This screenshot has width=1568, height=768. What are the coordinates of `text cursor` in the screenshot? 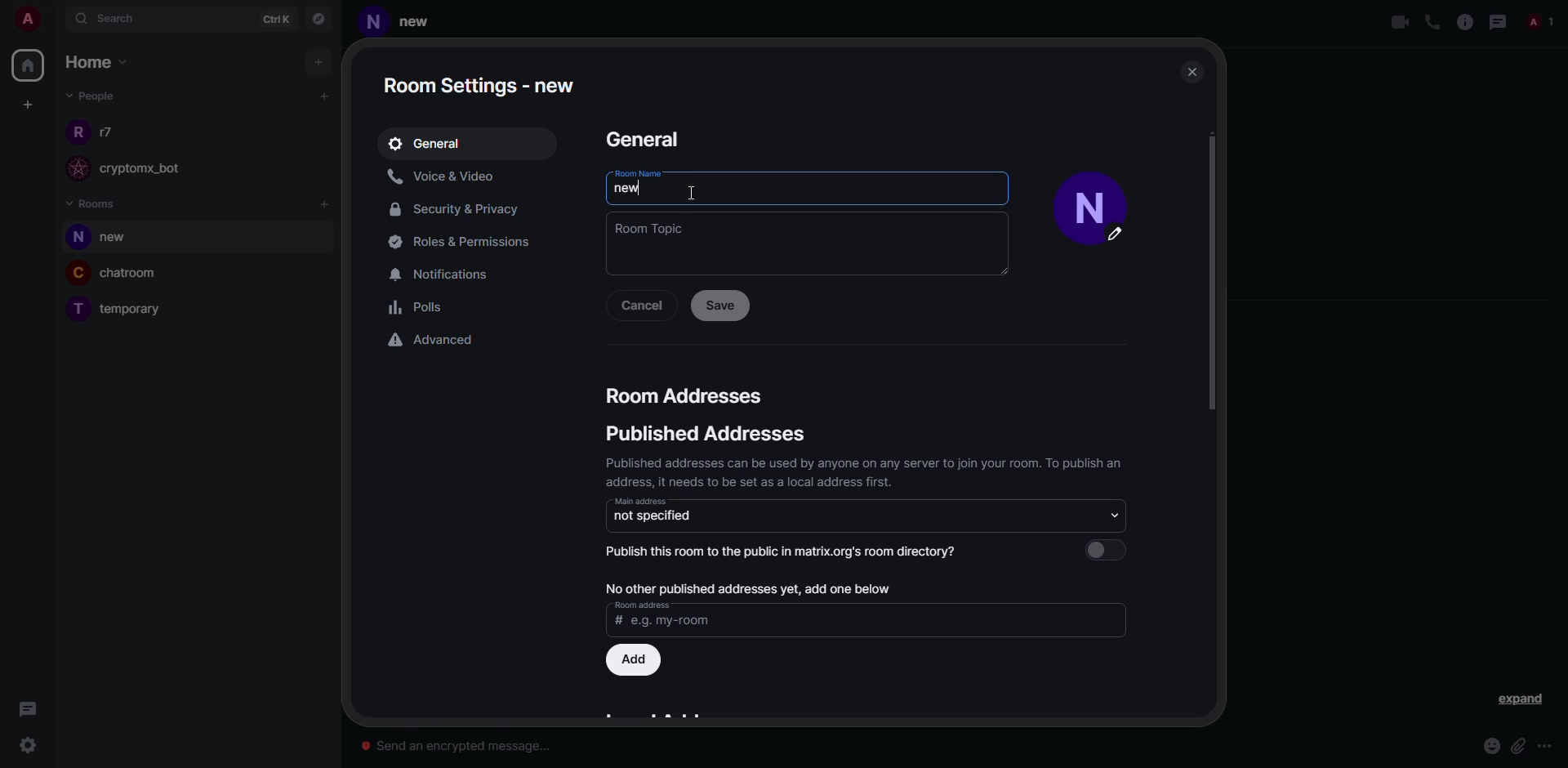 It's located at (693, 194).